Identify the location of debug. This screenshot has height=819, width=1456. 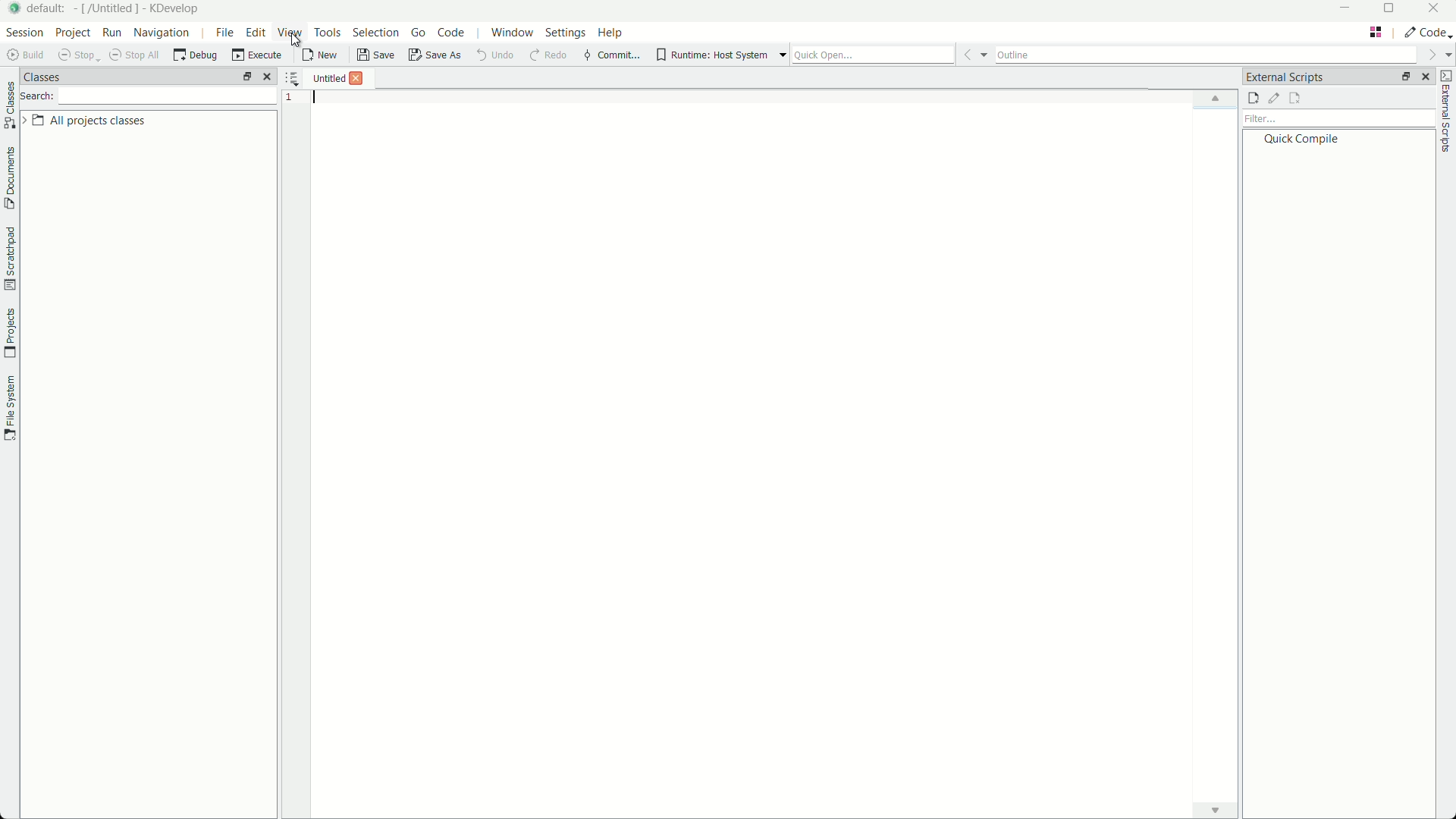
(199, 54).